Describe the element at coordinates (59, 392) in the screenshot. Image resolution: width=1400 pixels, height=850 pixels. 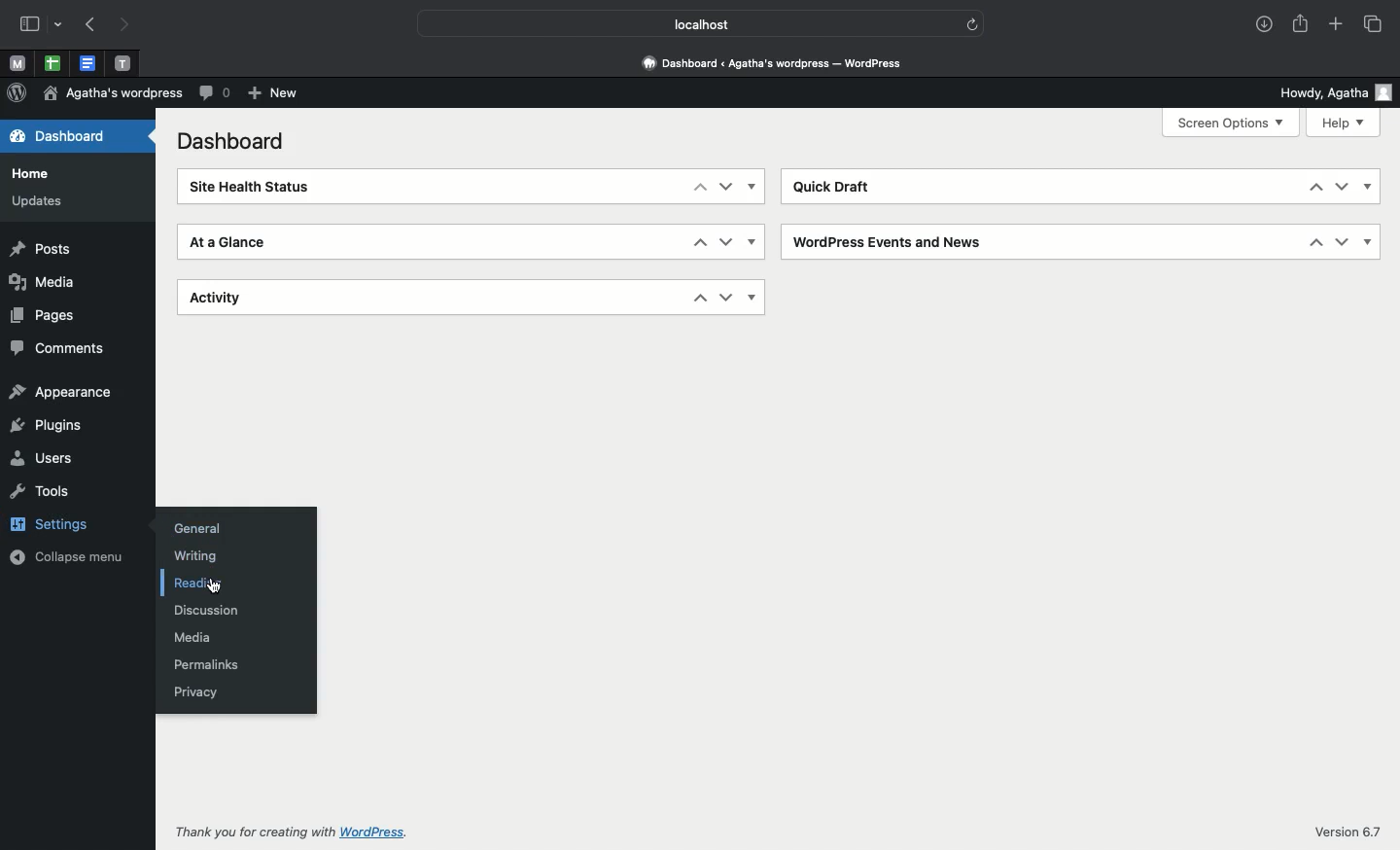
I see `Appearance` at that location.